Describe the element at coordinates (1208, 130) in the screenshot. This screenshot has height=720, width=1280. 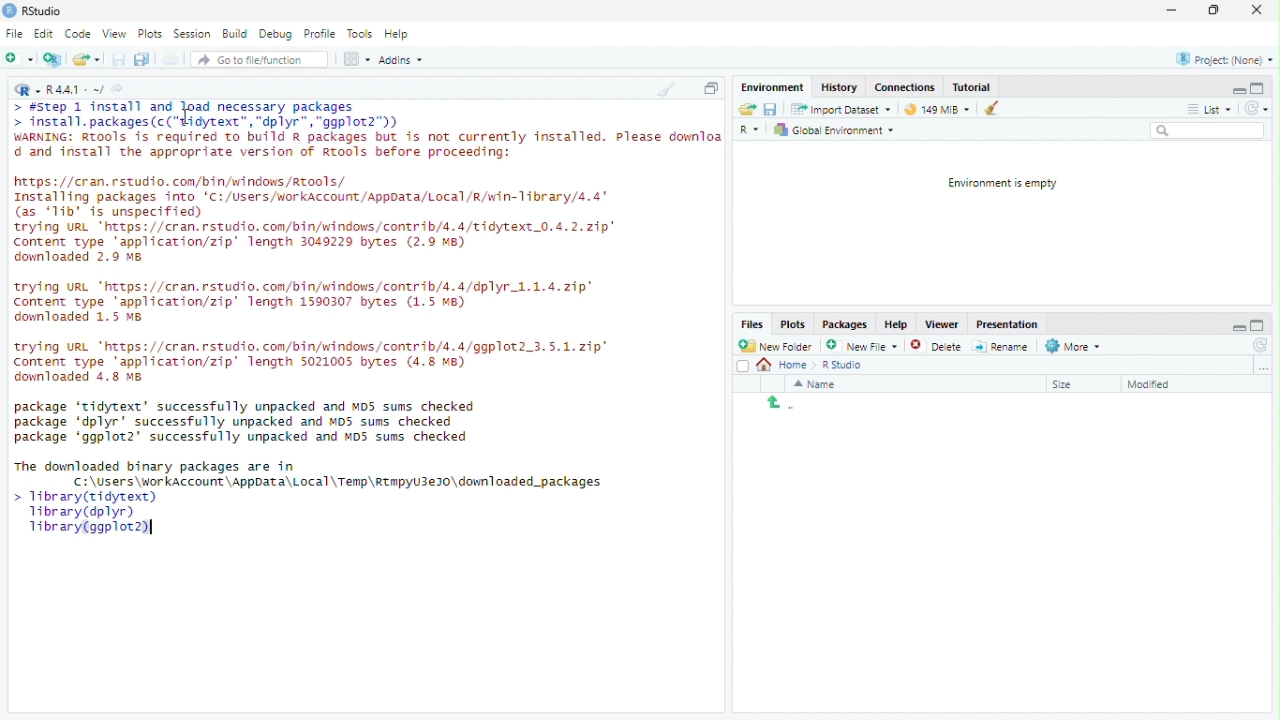
I see `Search` at that location.